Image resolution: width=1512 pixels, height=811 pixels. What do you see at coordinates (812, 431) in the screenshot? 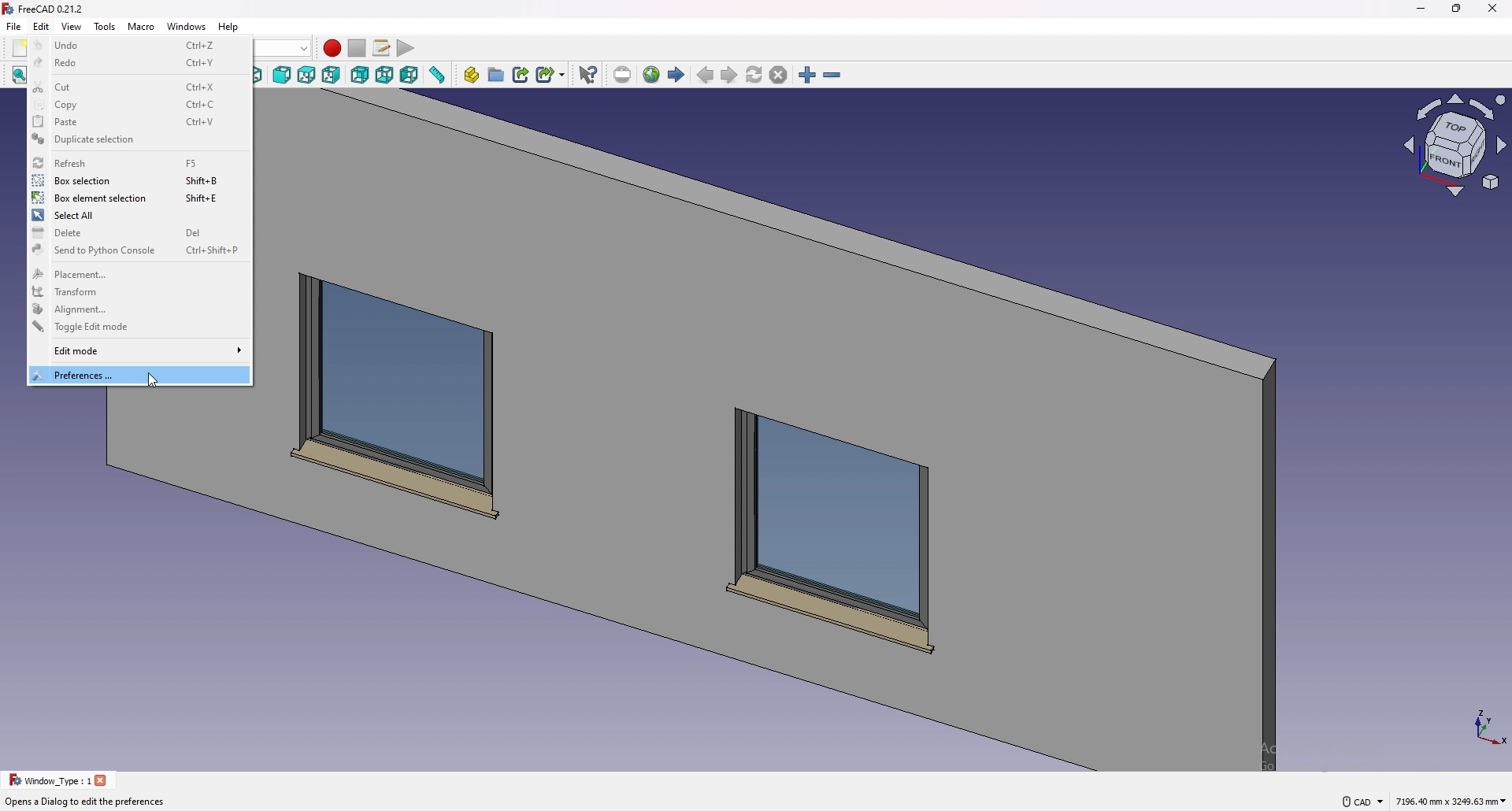
I see `workspace` at bounding box center [812, 431].